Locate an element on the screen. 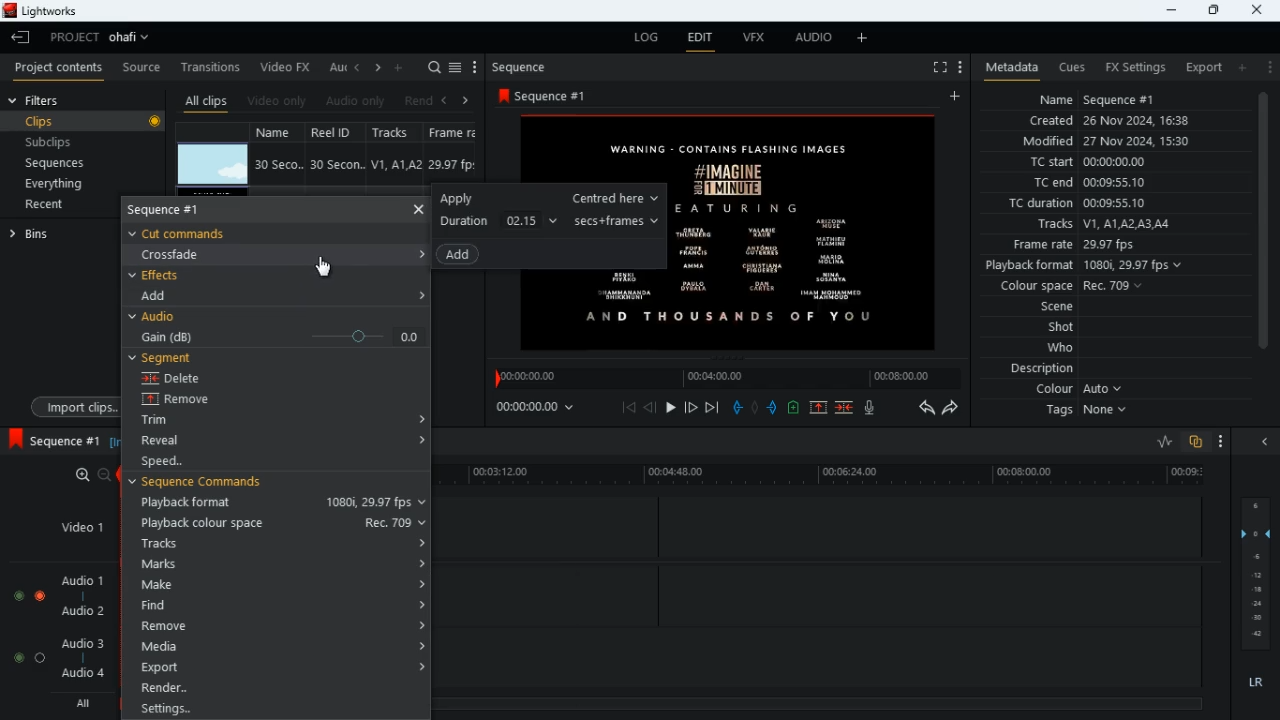 This screenshot has height=720, width=1280. export is located at coordinates (1198, 68).